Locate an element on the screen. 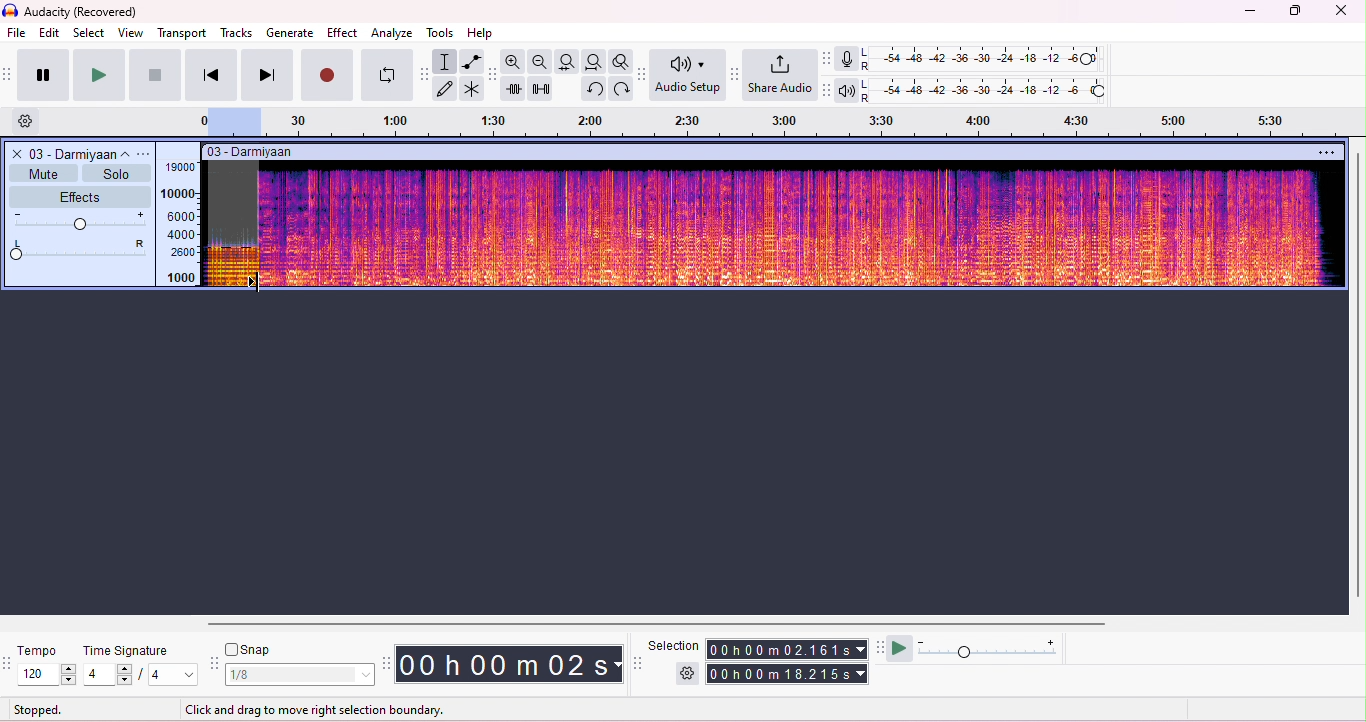 The height and width of the screenshot is (722, 1366). options is located at coordinates (145, 154).